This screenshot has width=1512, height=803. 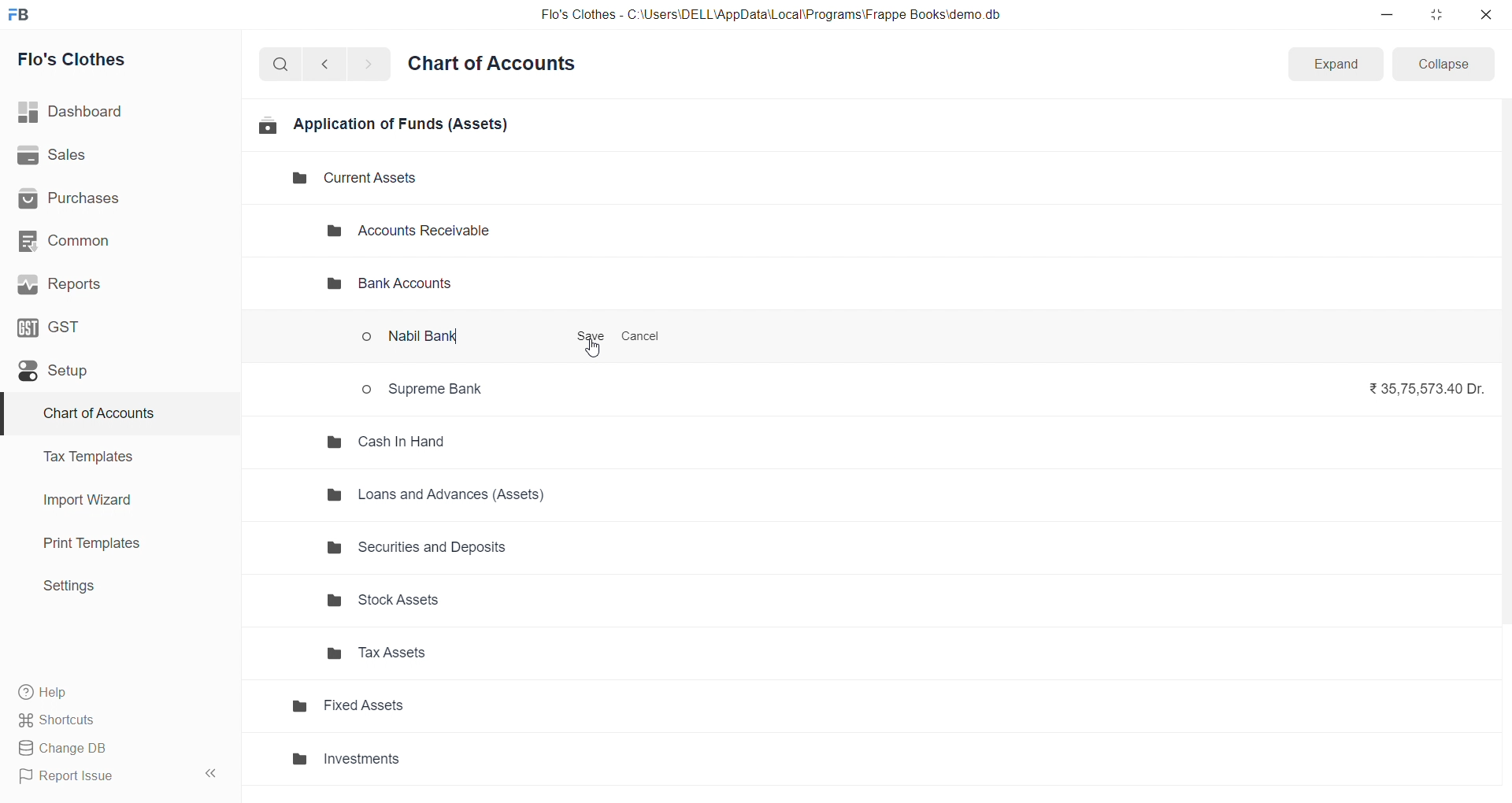 What do you see at coordinates (591, 337) in the screenshot?
I see `Save` at bounding box center [591, 337].